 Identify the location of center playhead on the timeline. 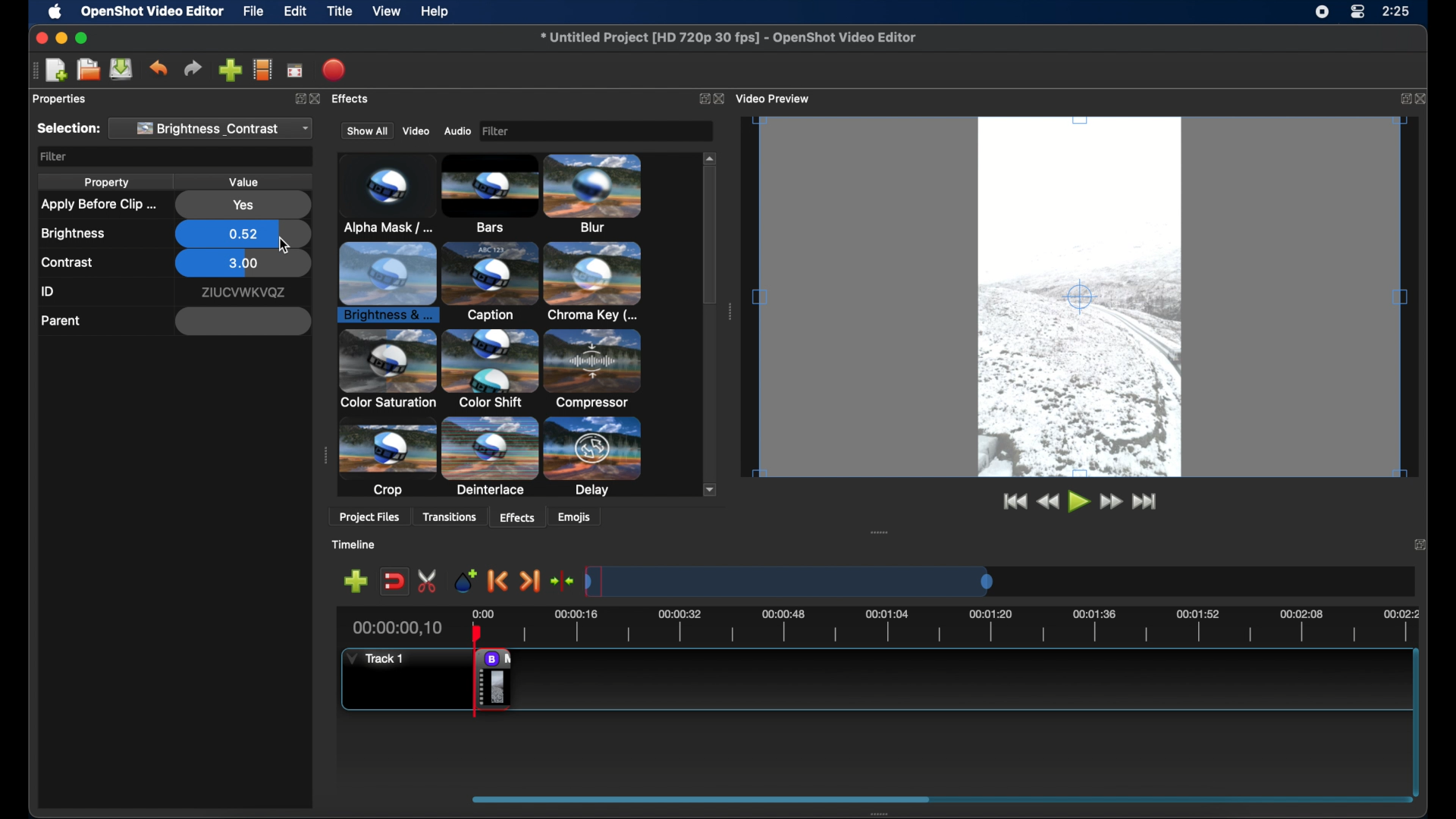
(563, 580).